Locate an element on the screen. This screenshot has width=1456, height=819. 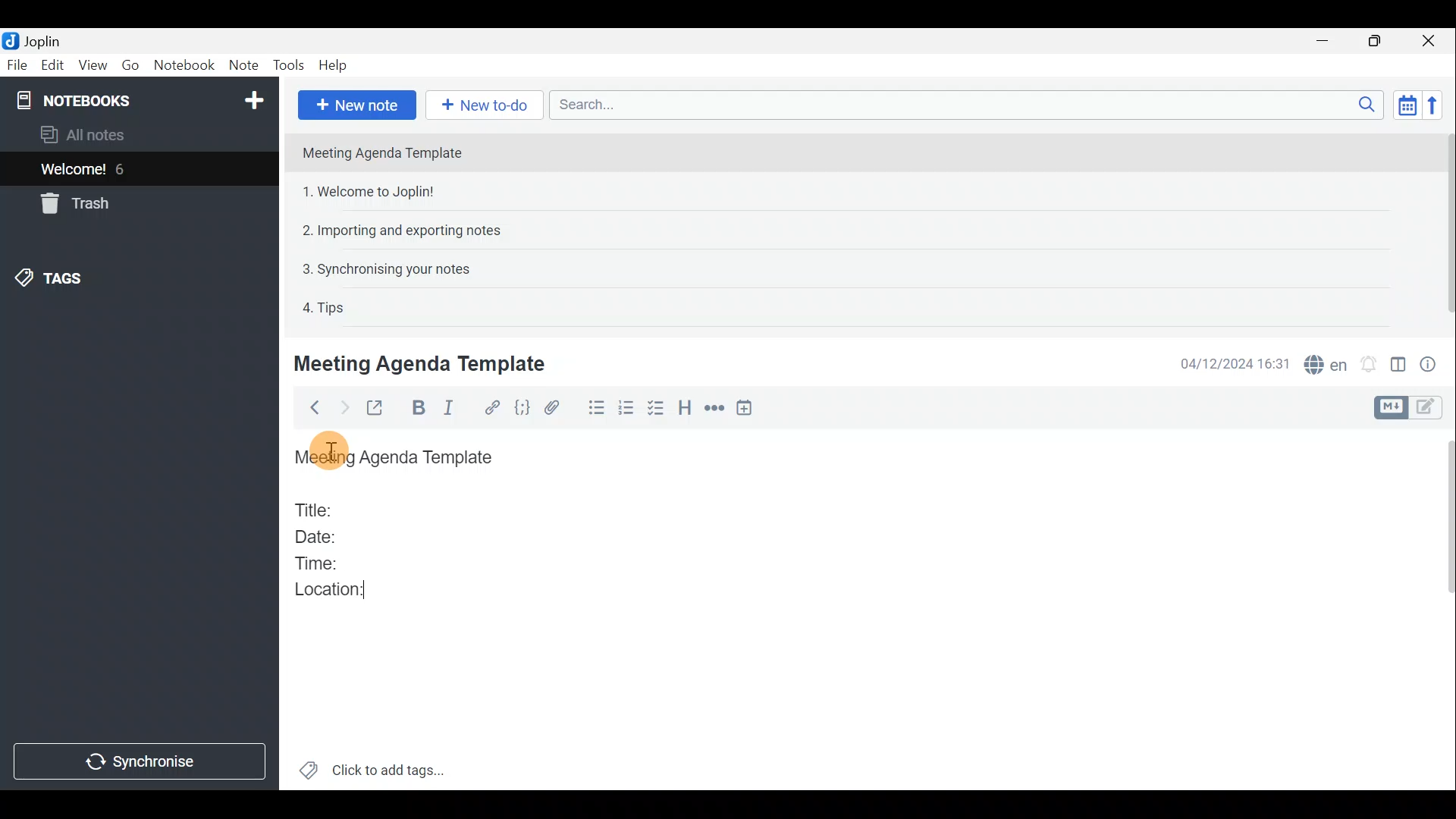
2. Importing and exporting notes is located at coordinates (407, 231).